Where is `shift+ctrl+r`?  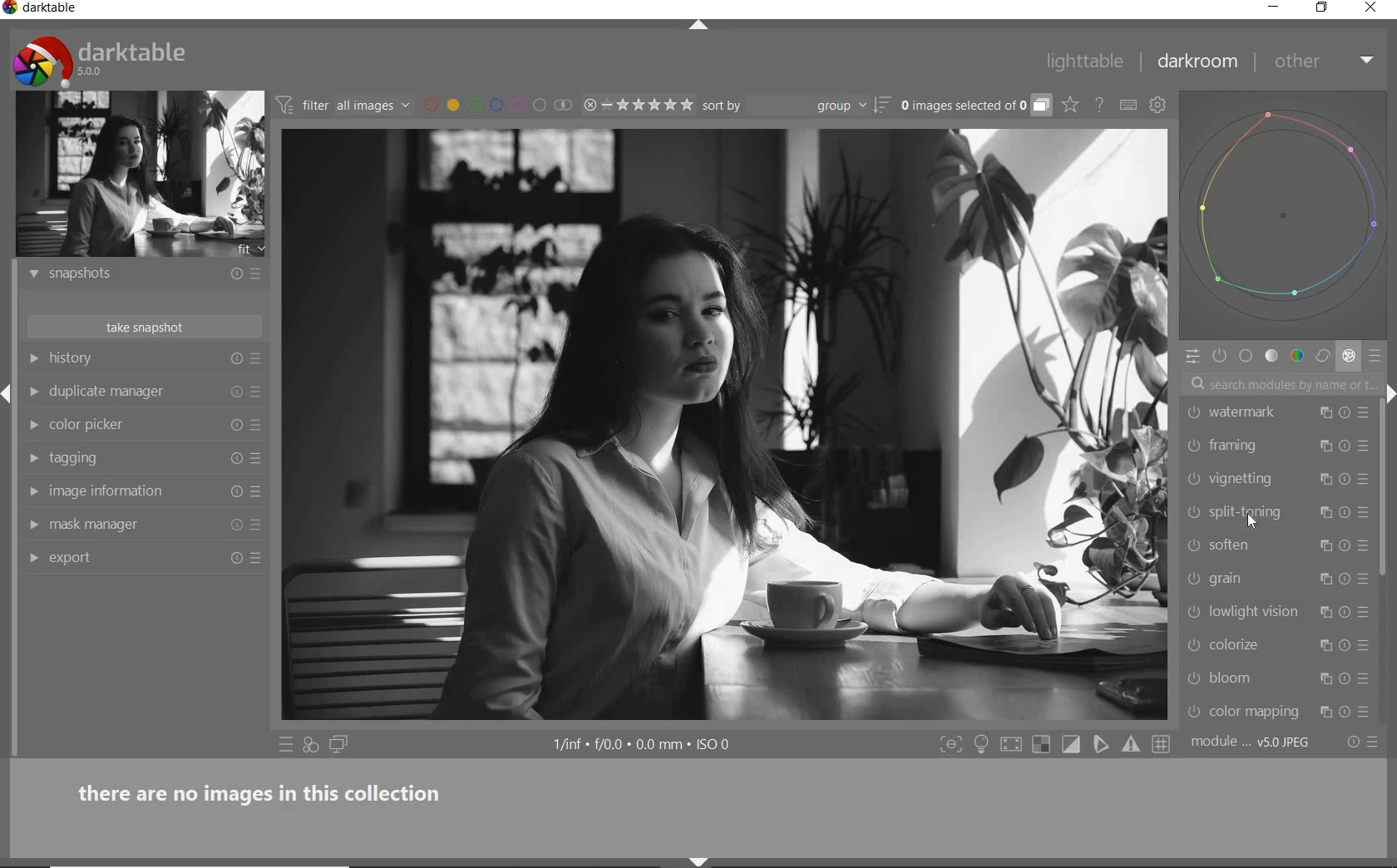
shift+ctrl+r is located at coordinates (1389, 388).